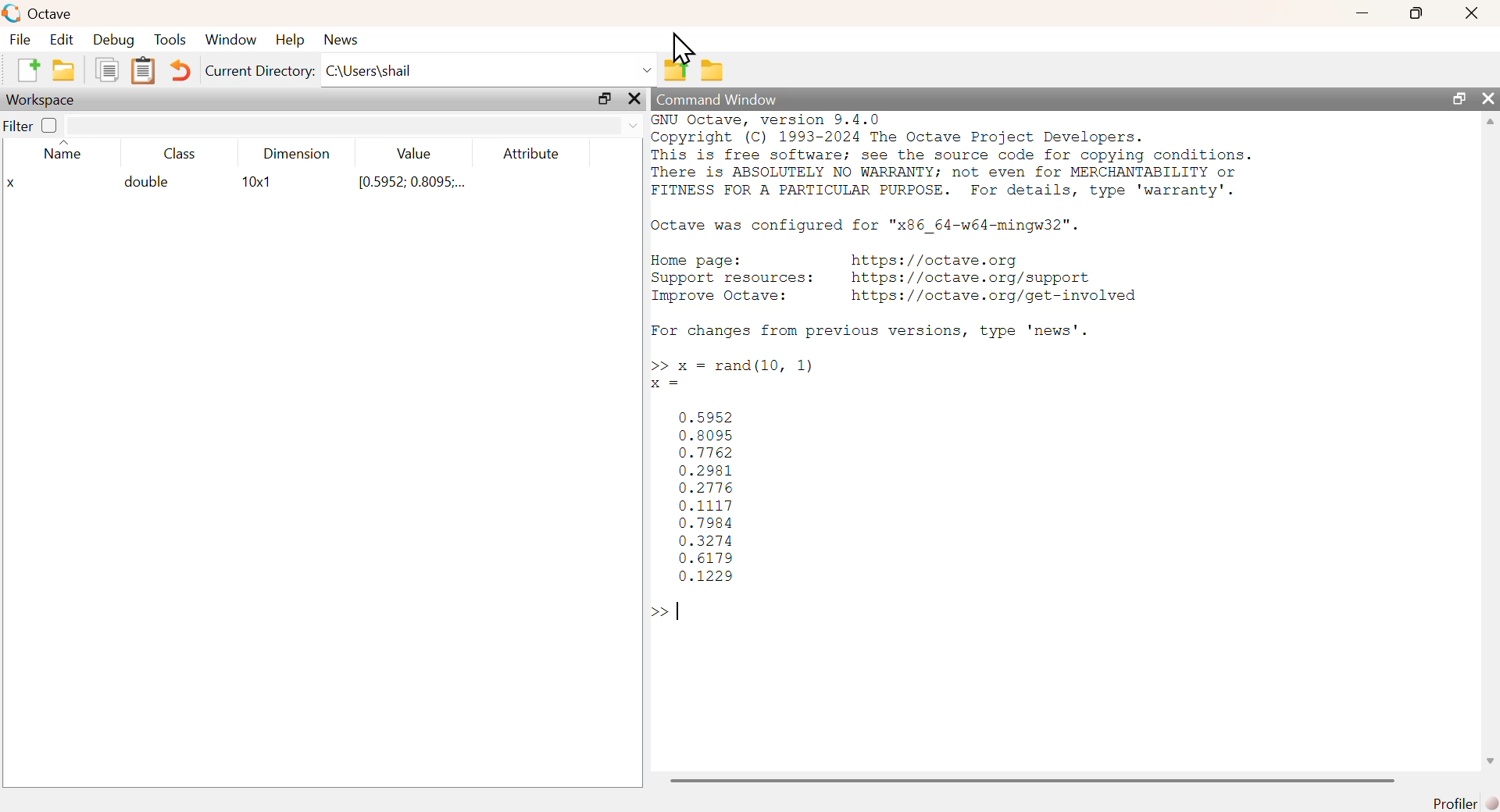 Image resolution: width=1500 pixels, height=812 pixels. What do you see at coordinates (62, 150) in the screenshot?
I see `name` at bounding box center [62, 150].